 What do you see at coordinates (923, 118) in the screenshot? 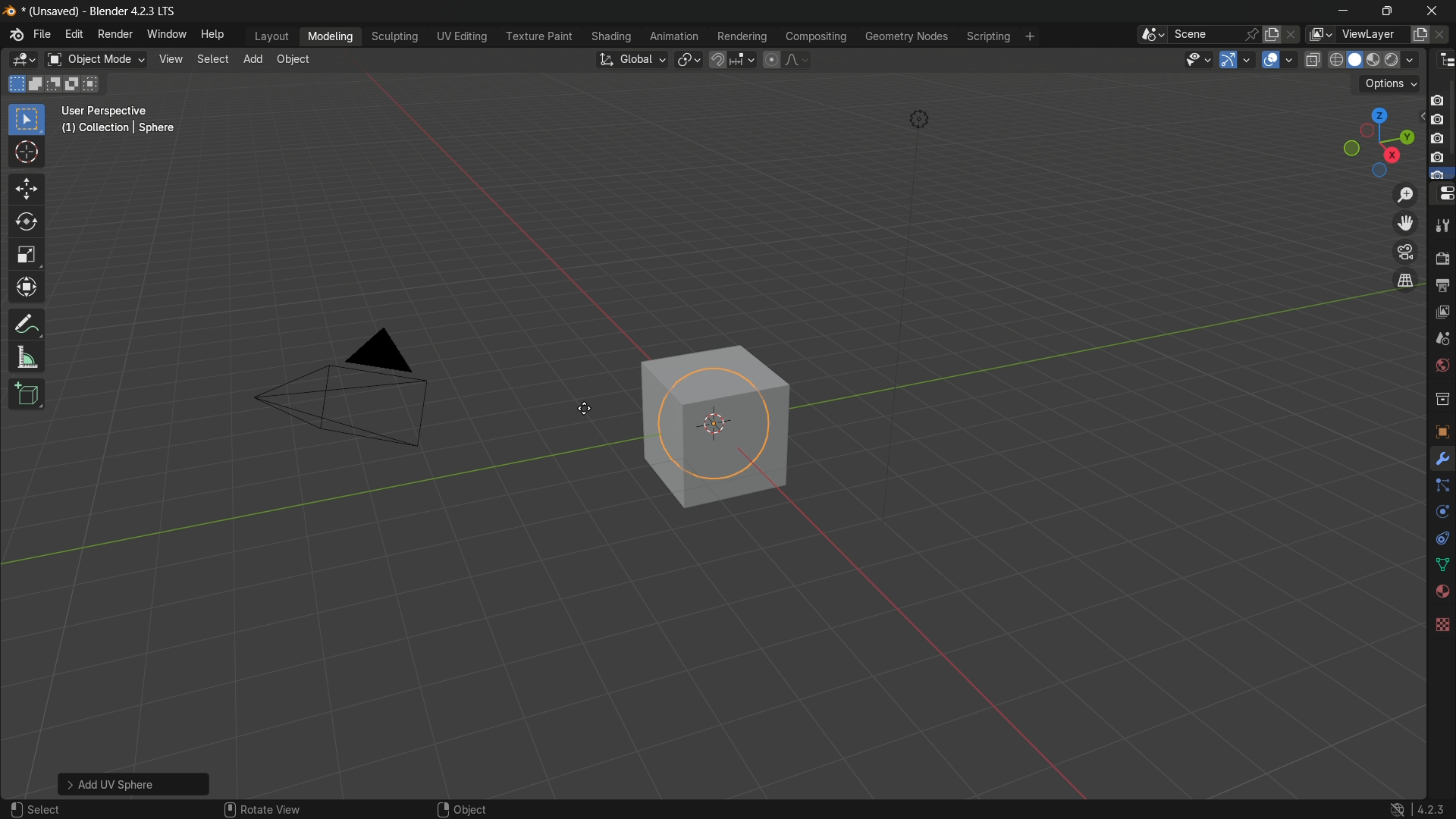
I see `light` at bounding box center [923, 118].